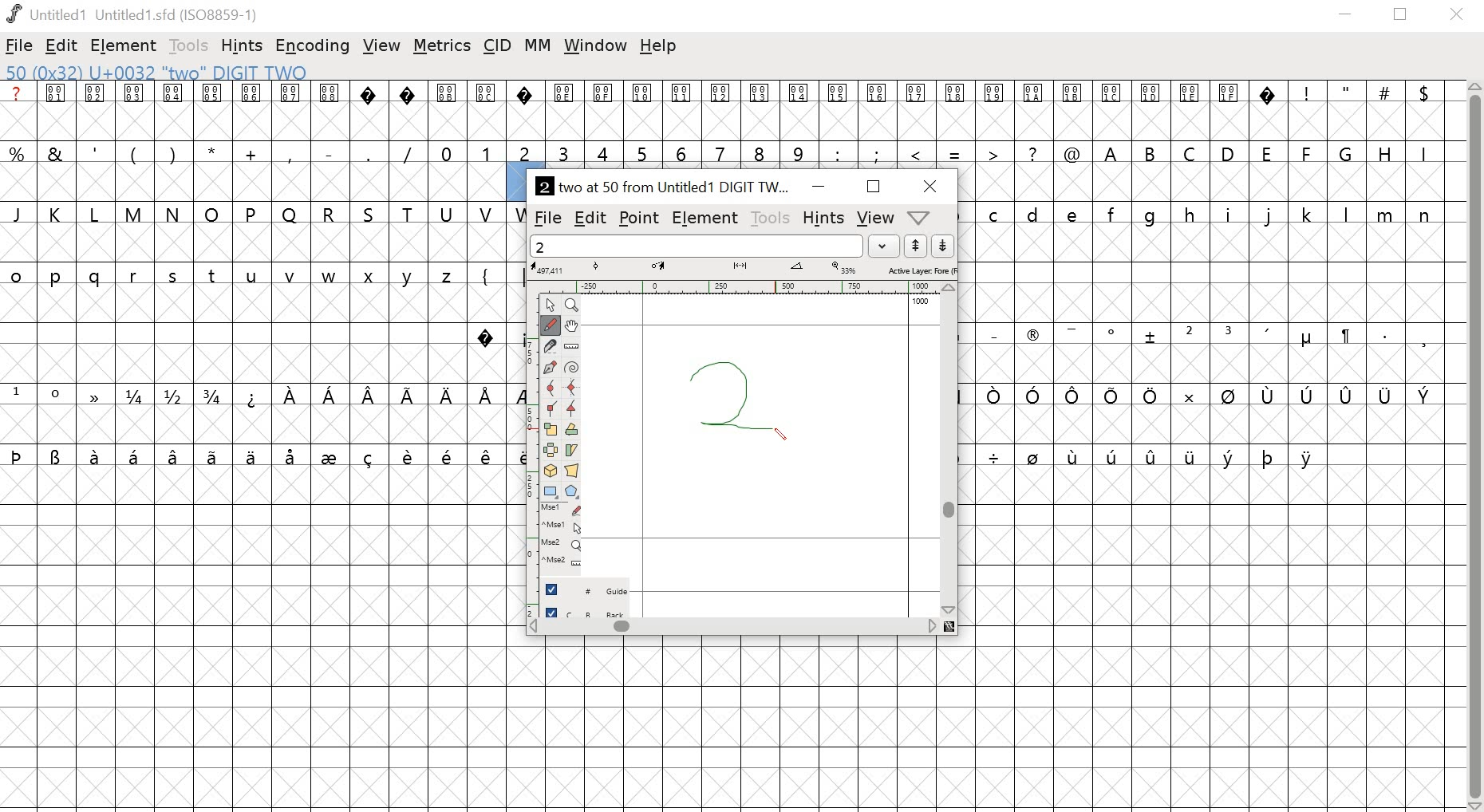  Describe the element at coordinates (916, 246) in the screenshot. I see `up` at that location.